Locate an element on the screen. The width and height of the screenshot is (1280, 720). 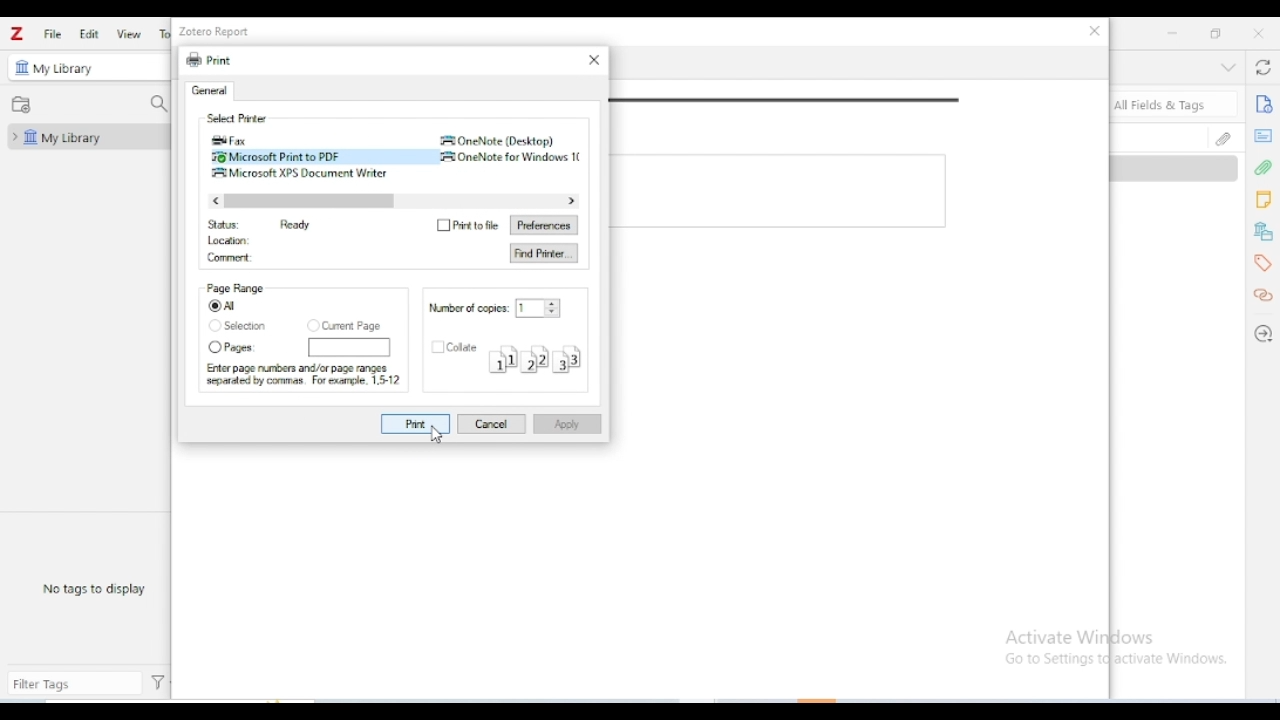
my library is located at coordinates (87, 137).